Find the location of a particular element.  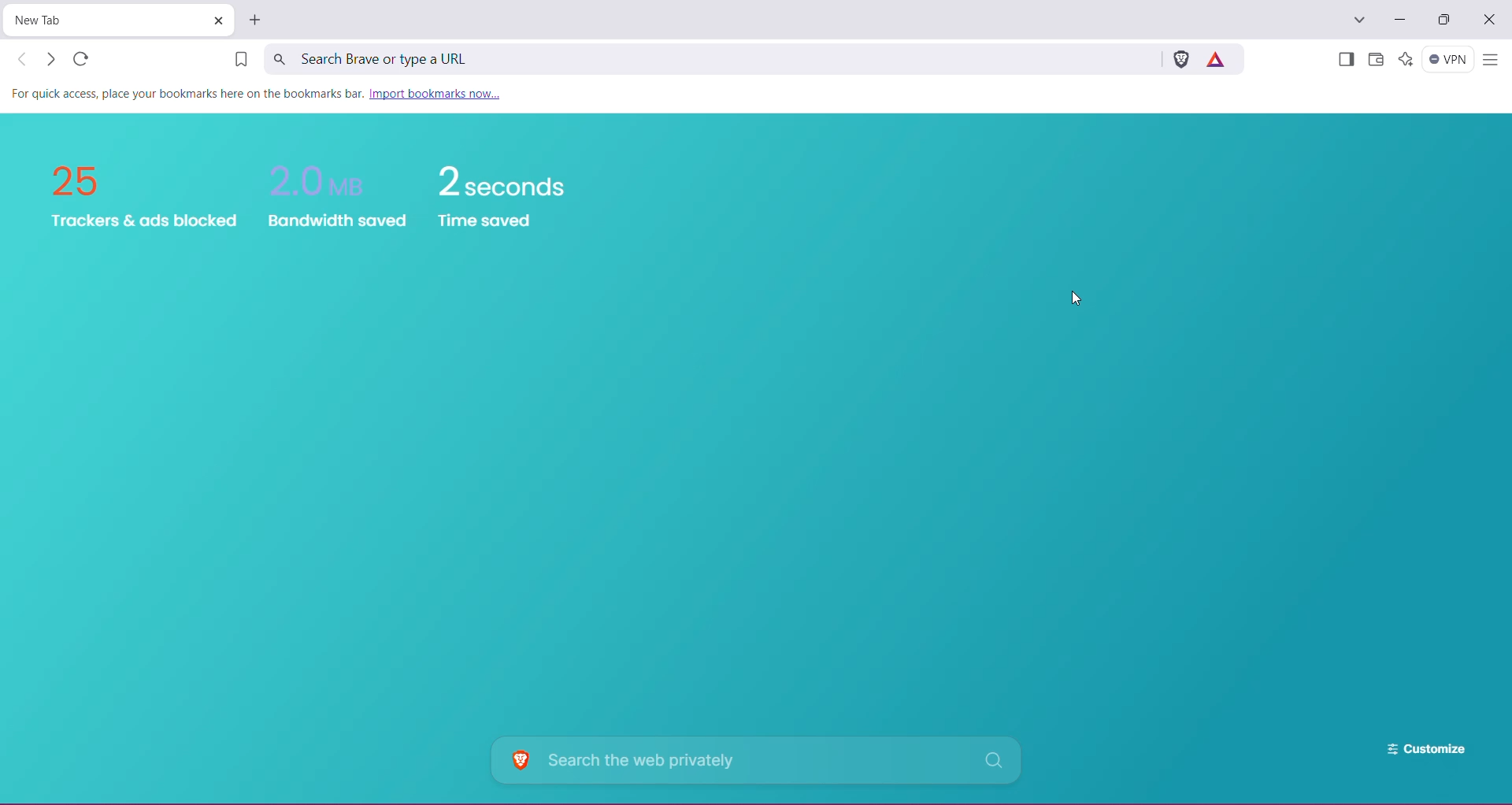

Click to go forward, hold to see history is located at coordinates (50, 59).